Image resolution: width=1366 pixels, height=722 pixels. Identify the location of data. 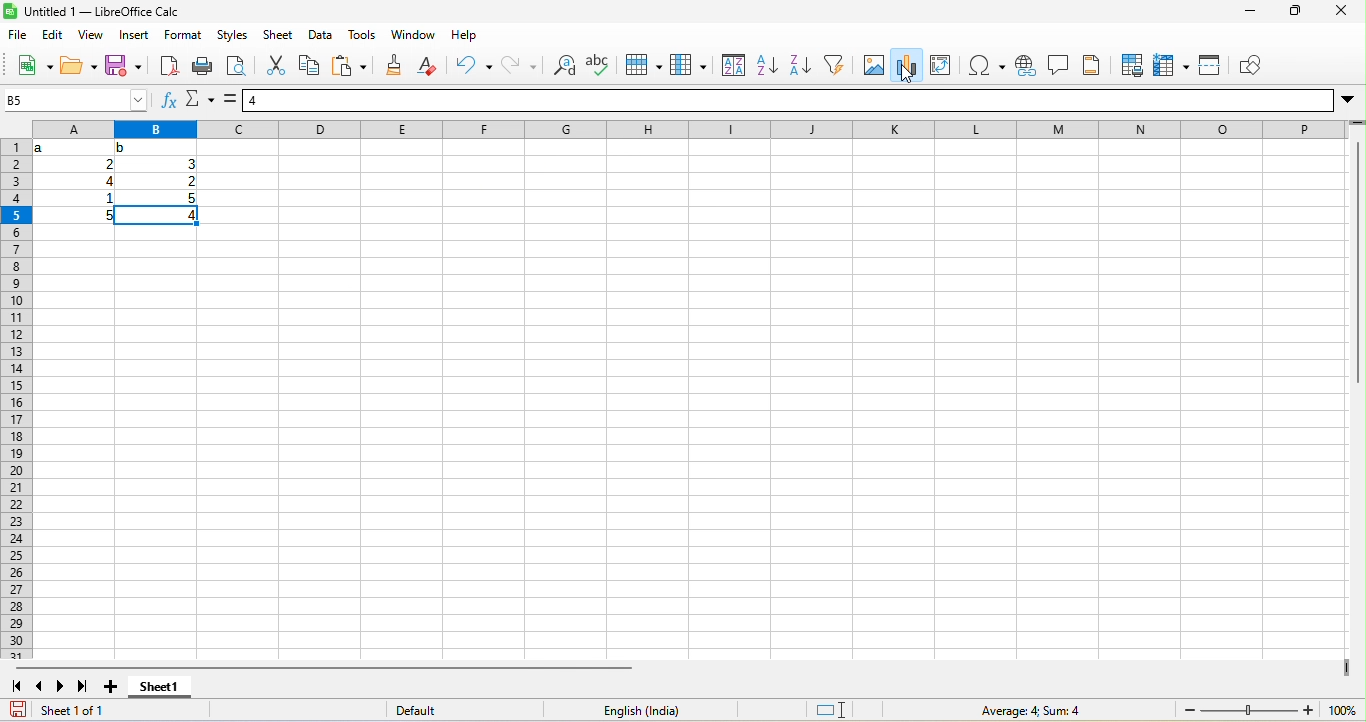
(321, 35).